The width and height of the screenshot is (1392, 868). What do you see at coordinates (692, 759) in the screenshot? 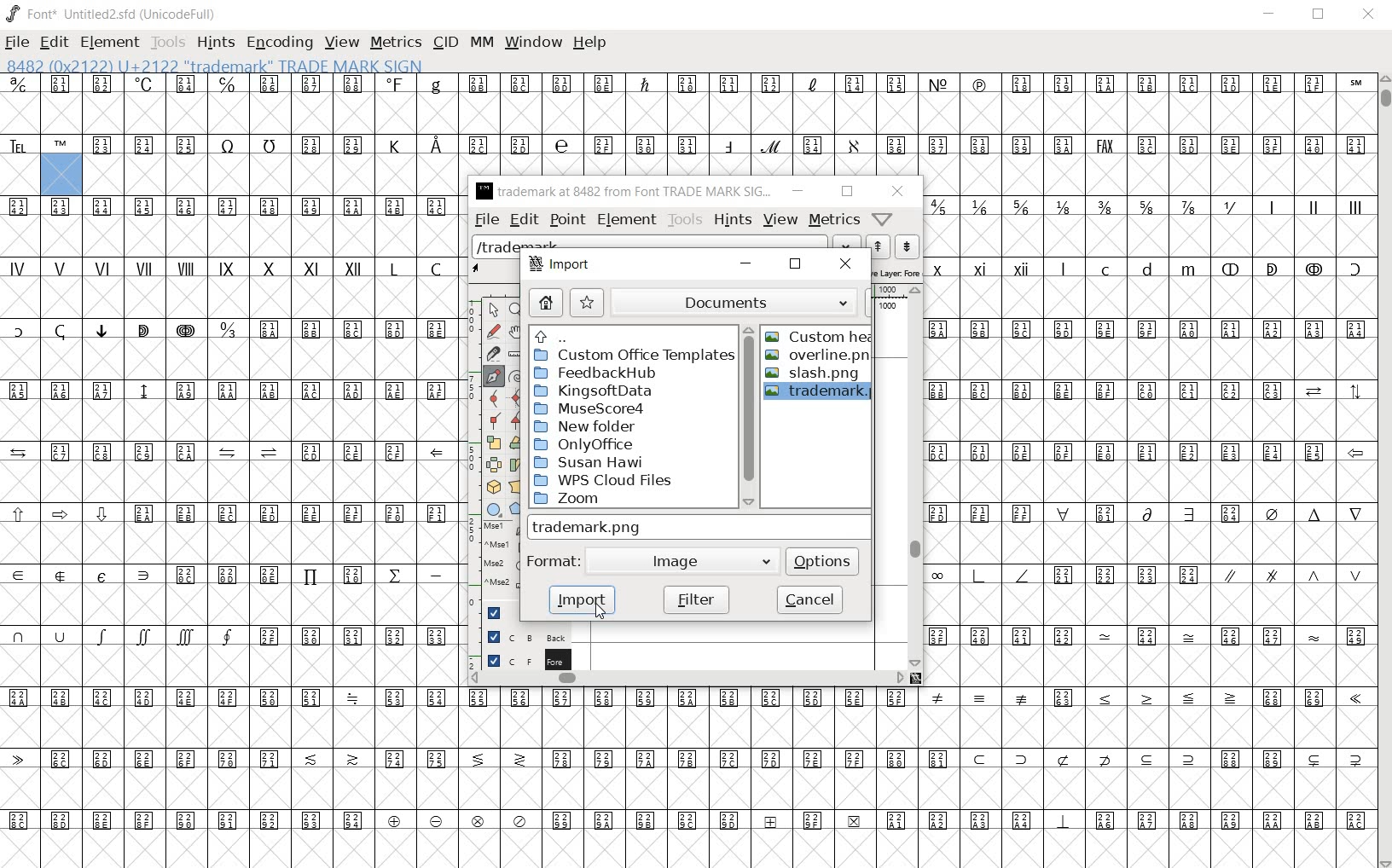
I see `special characters` at bounding box center [692, 759].